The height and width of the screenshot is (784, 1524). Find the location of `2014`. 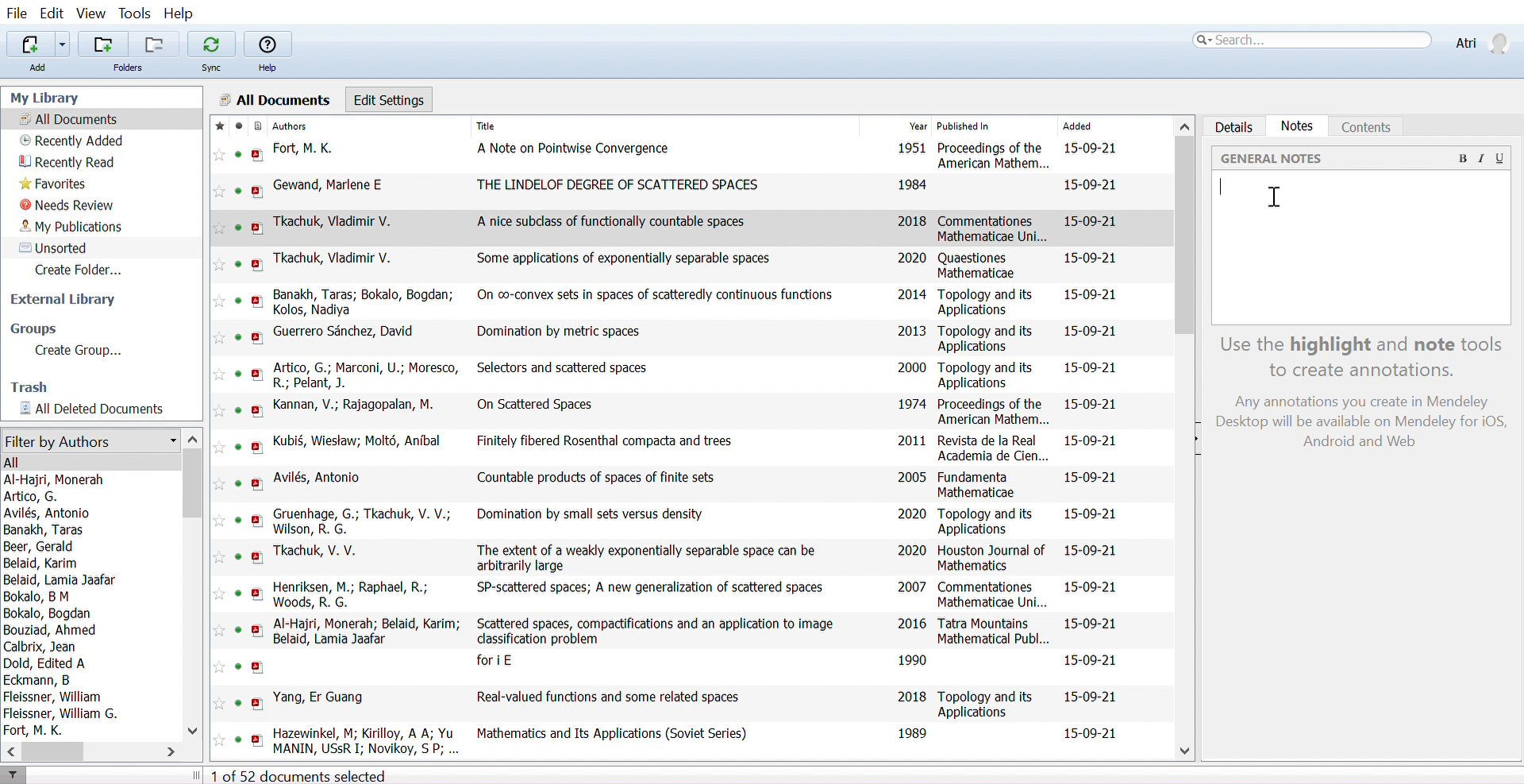

2014 is located at coordinates (912, 295).